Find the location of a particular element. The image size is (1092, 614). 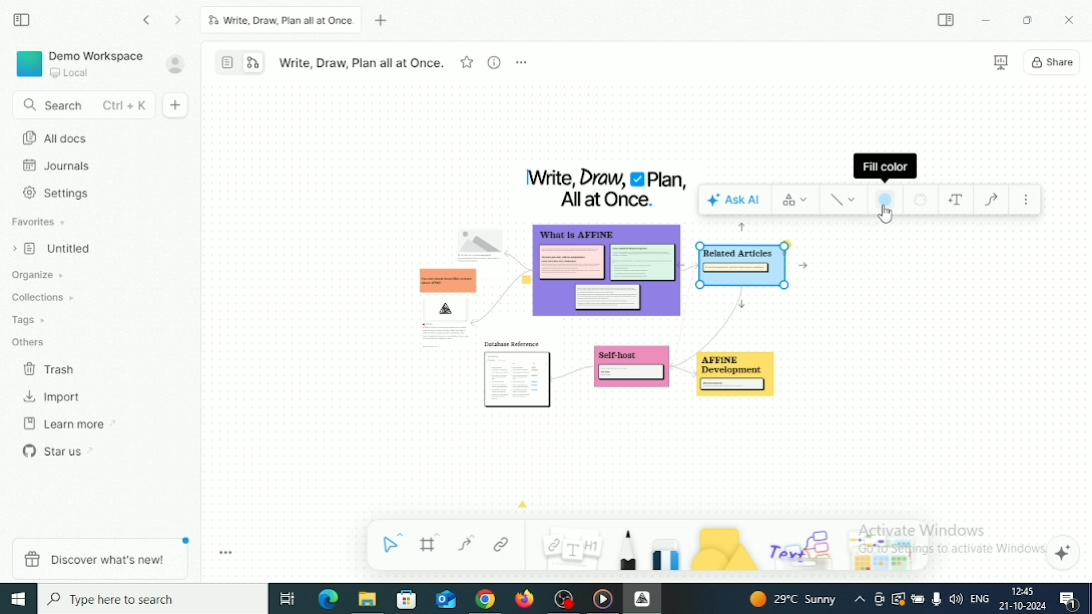

Pen is located at coordinates (627, 550).